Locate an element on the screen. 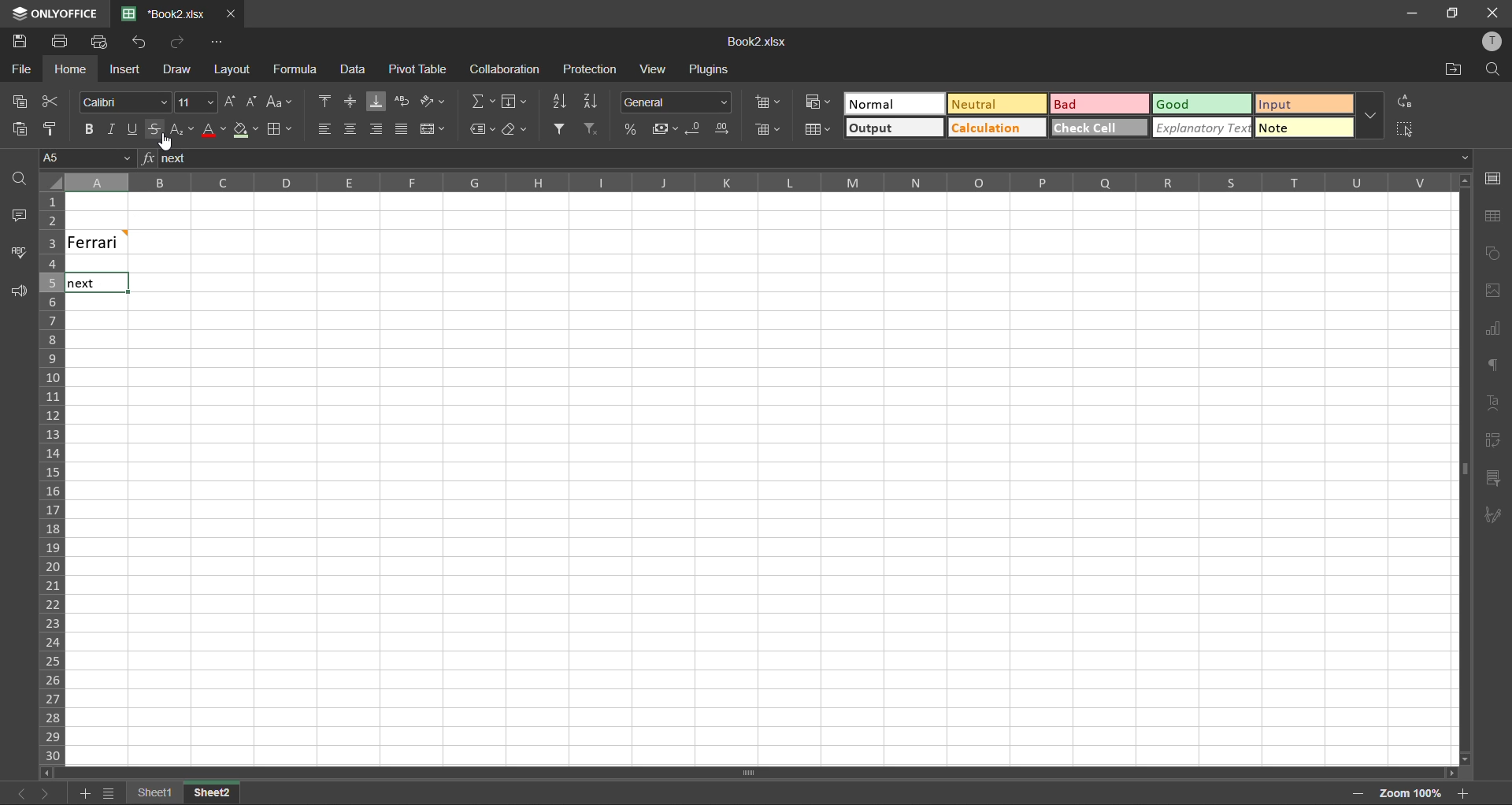 The image size is (1512, 805). table is located at coordinates (1495, 217).